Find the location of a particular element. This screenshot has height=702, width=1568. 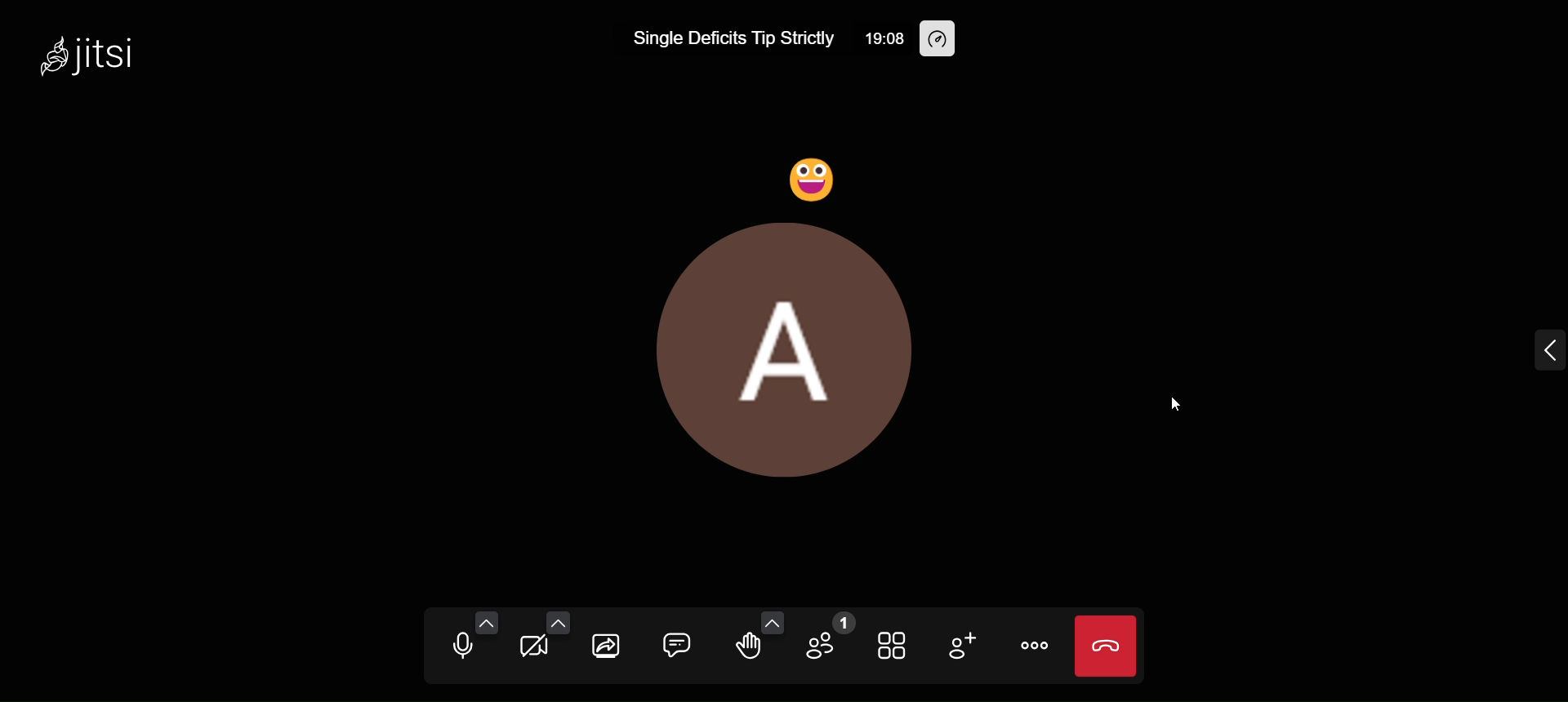

performance setting is located at coordinates (937, 40).